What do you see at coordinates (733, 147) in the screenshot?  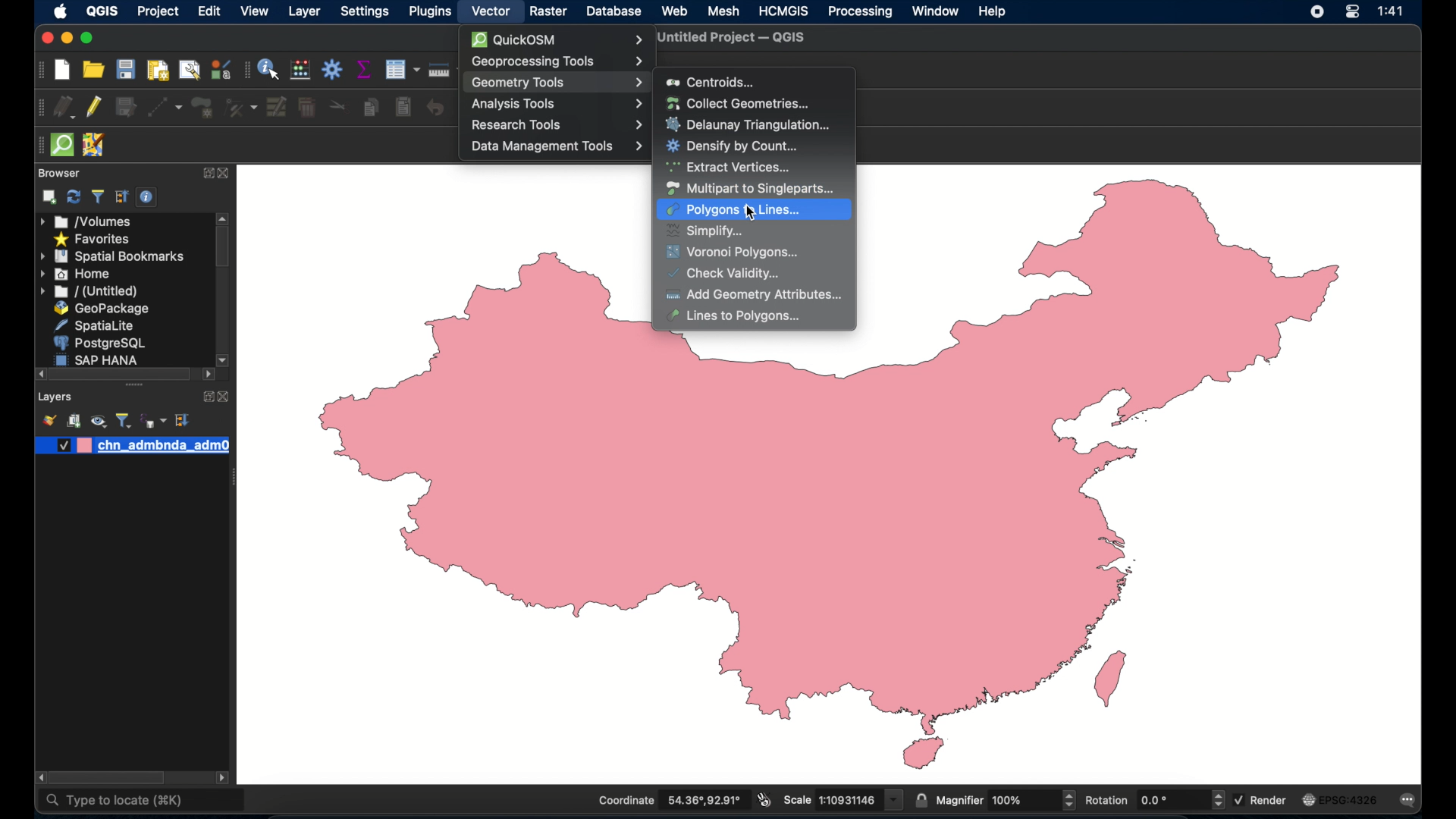 I see `densify by count` at bounding box center [733, 147].